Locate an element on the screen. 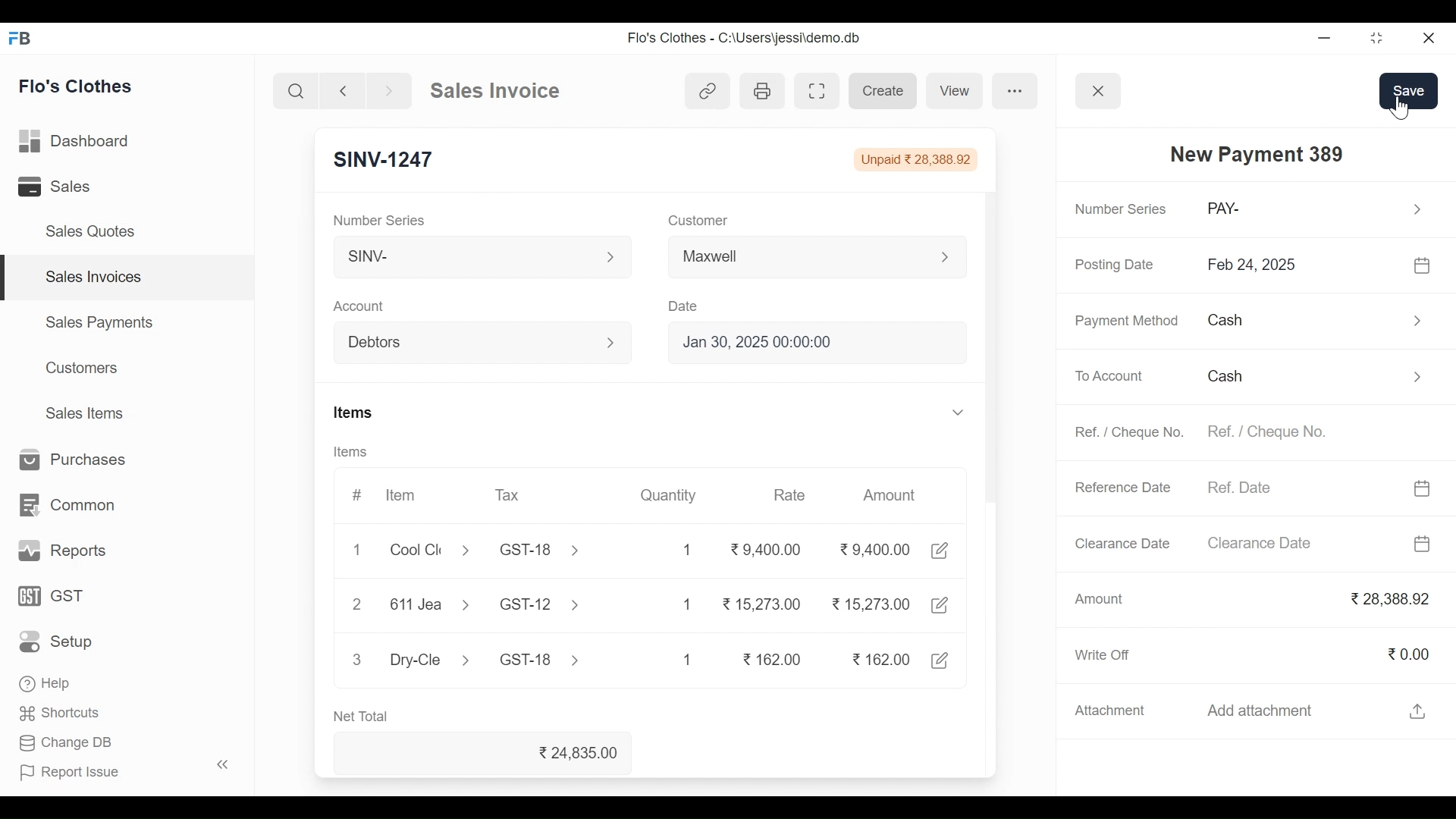 The width and height of the screenshot is (1456, 819). 0.00 is located at coordinates (1409, 653).